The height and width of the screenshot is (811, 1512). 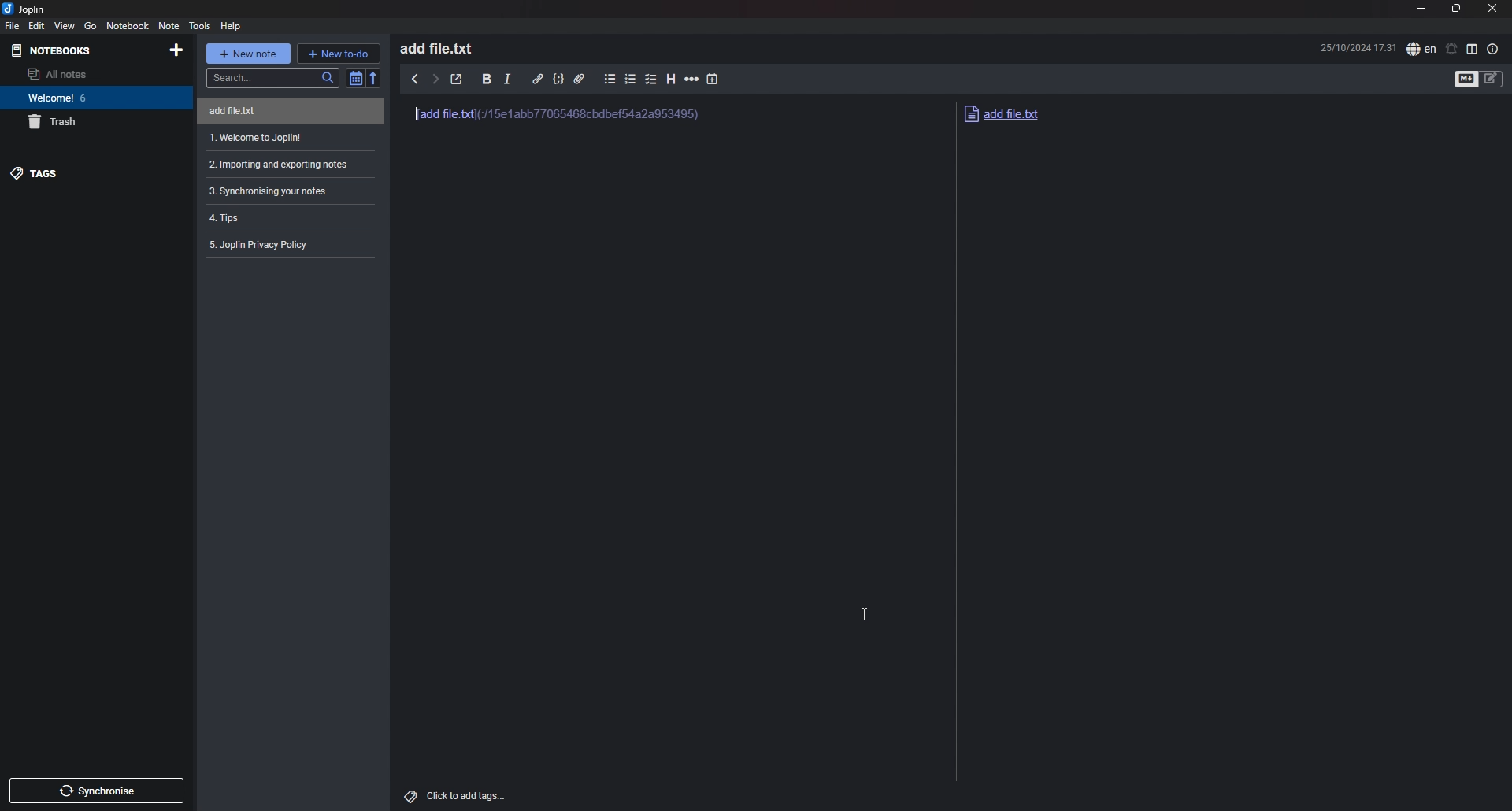 What do you see at coordinates (566, 121) in the screenshot?
I see `lladd file. txt](:/15e1abb77065468cbdbef54a2a953495)` at bounding box center [566, 121].